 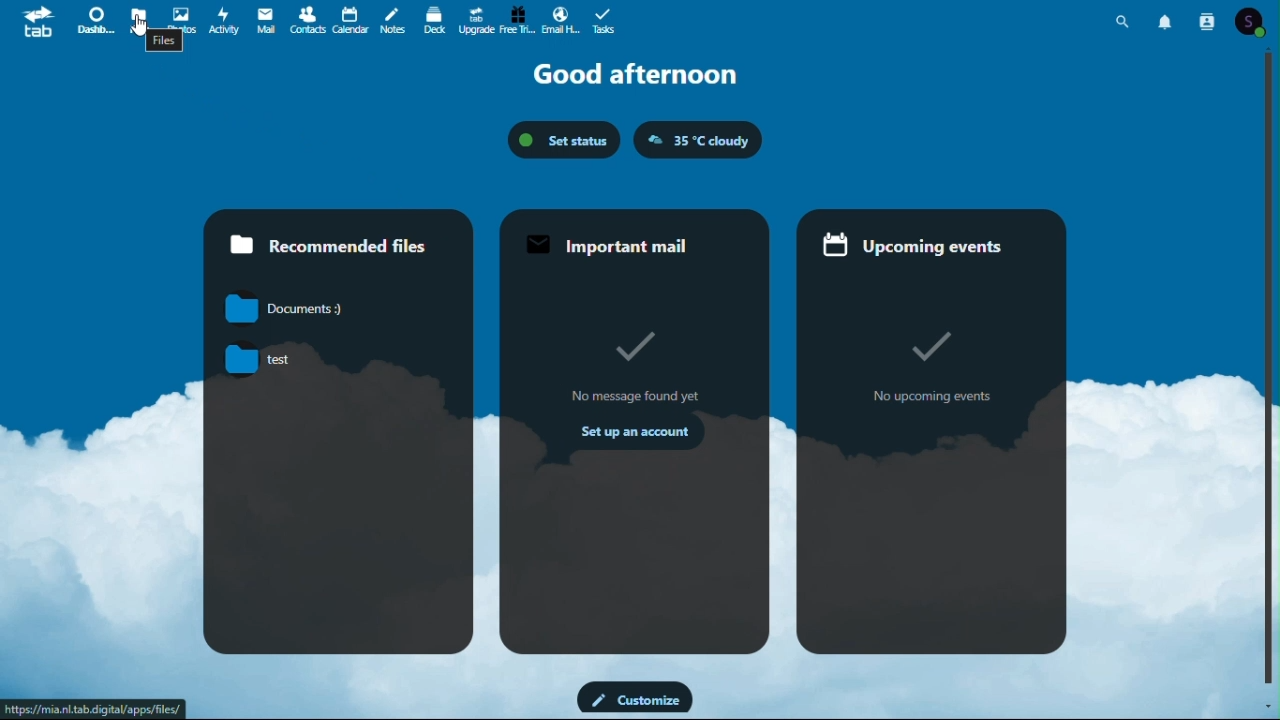 What do you see at coordinates (167, 43) in the screenshot?
I see `files` at bounding box center [167, 43].